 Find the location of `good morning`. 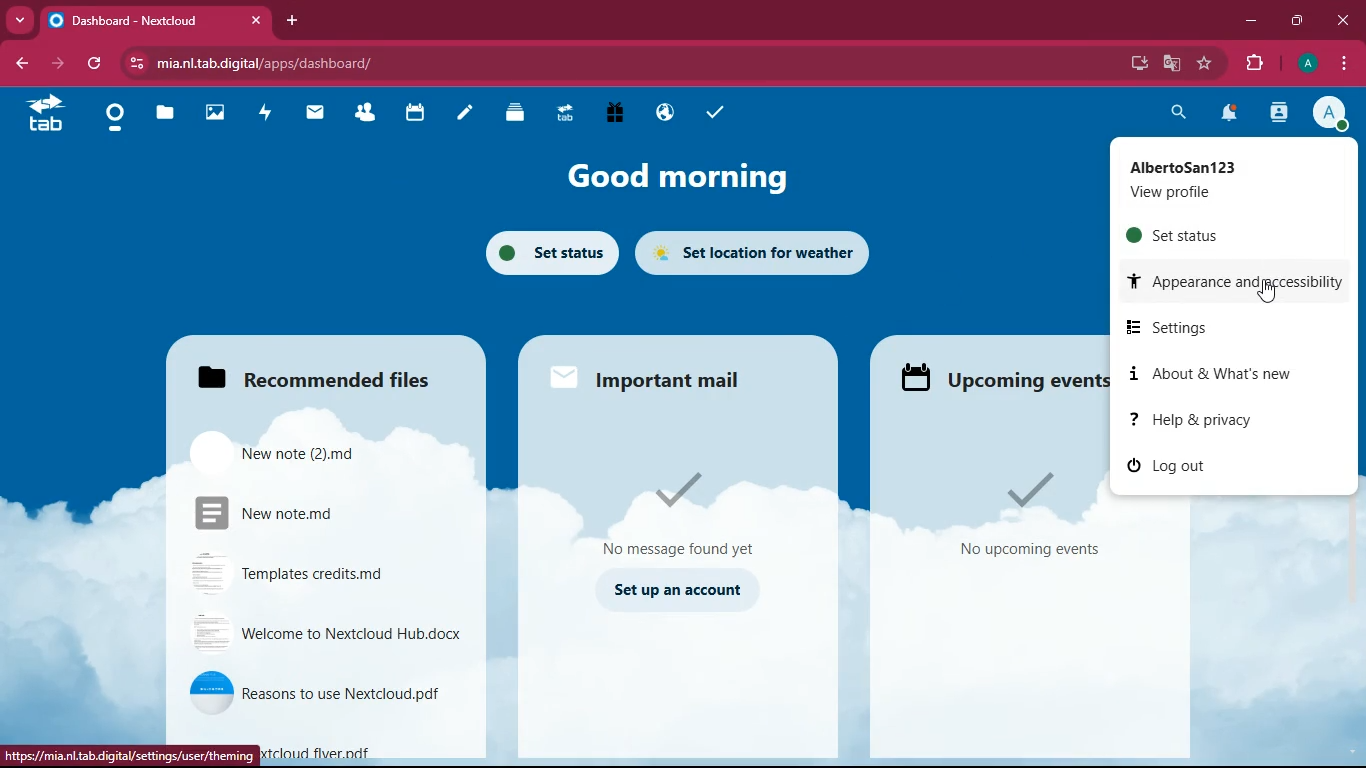

good morning is located at coordinates (673, 176).